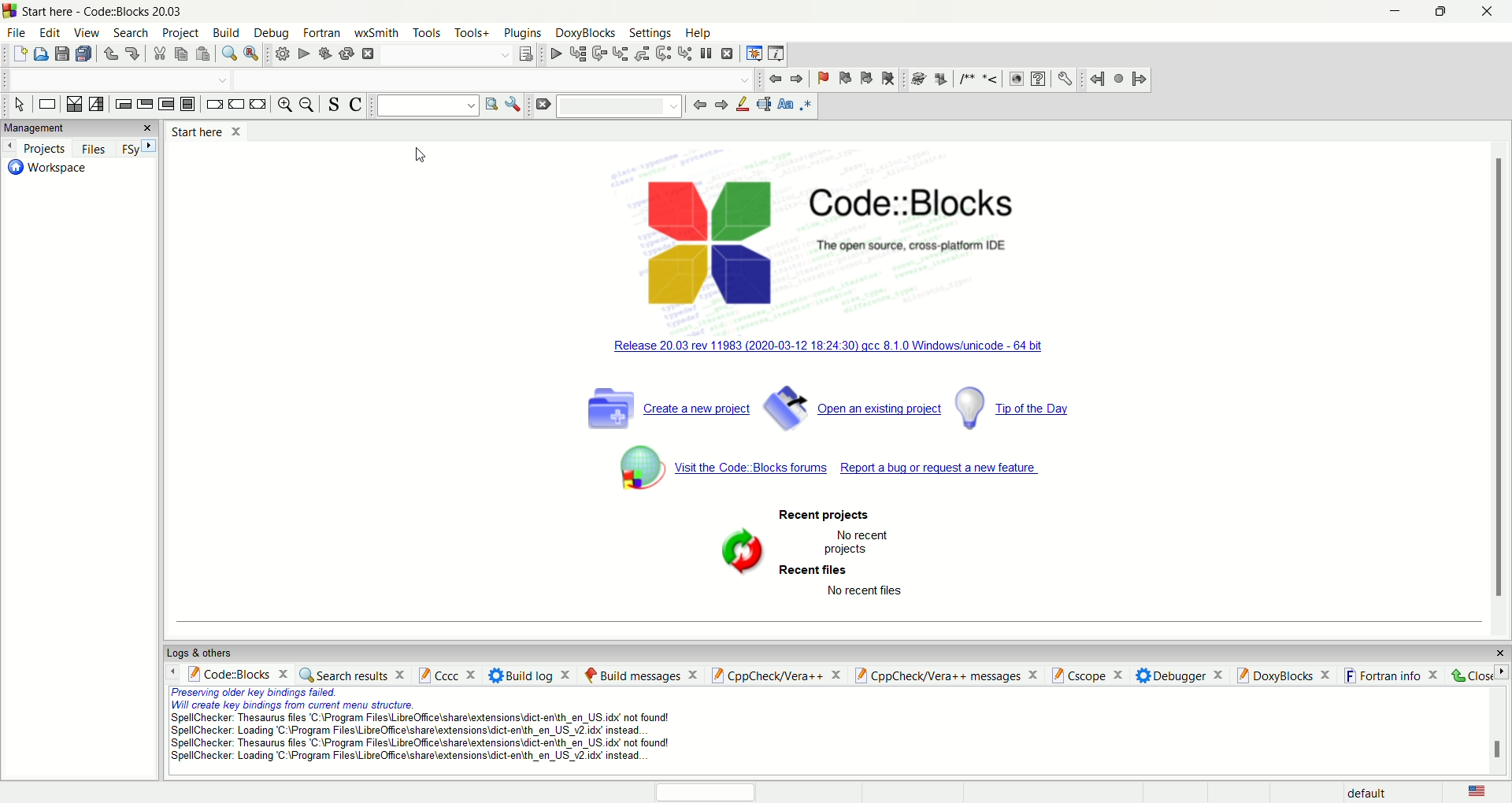  What do you see at coordinates (237, 675) in the screenshot?
I see `code::block` at bounding box center [237, 675].